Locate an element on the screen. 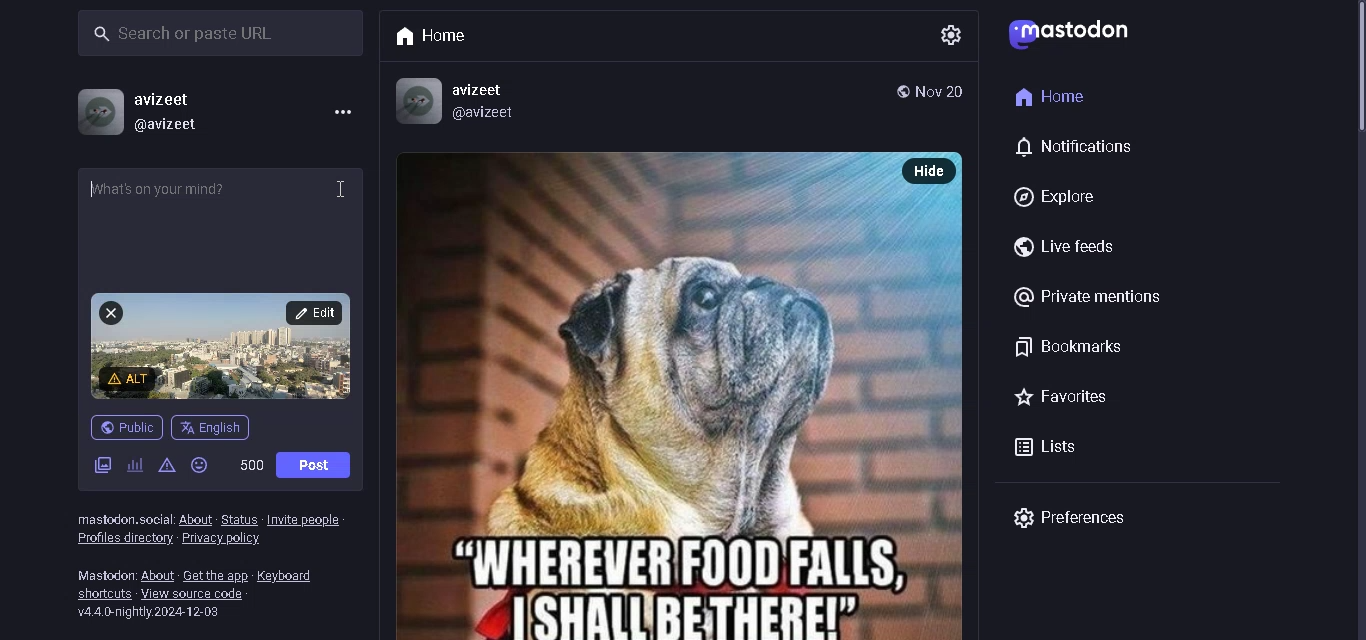 The image size is (1366, 640). edit is located at coordinates (316, 313).